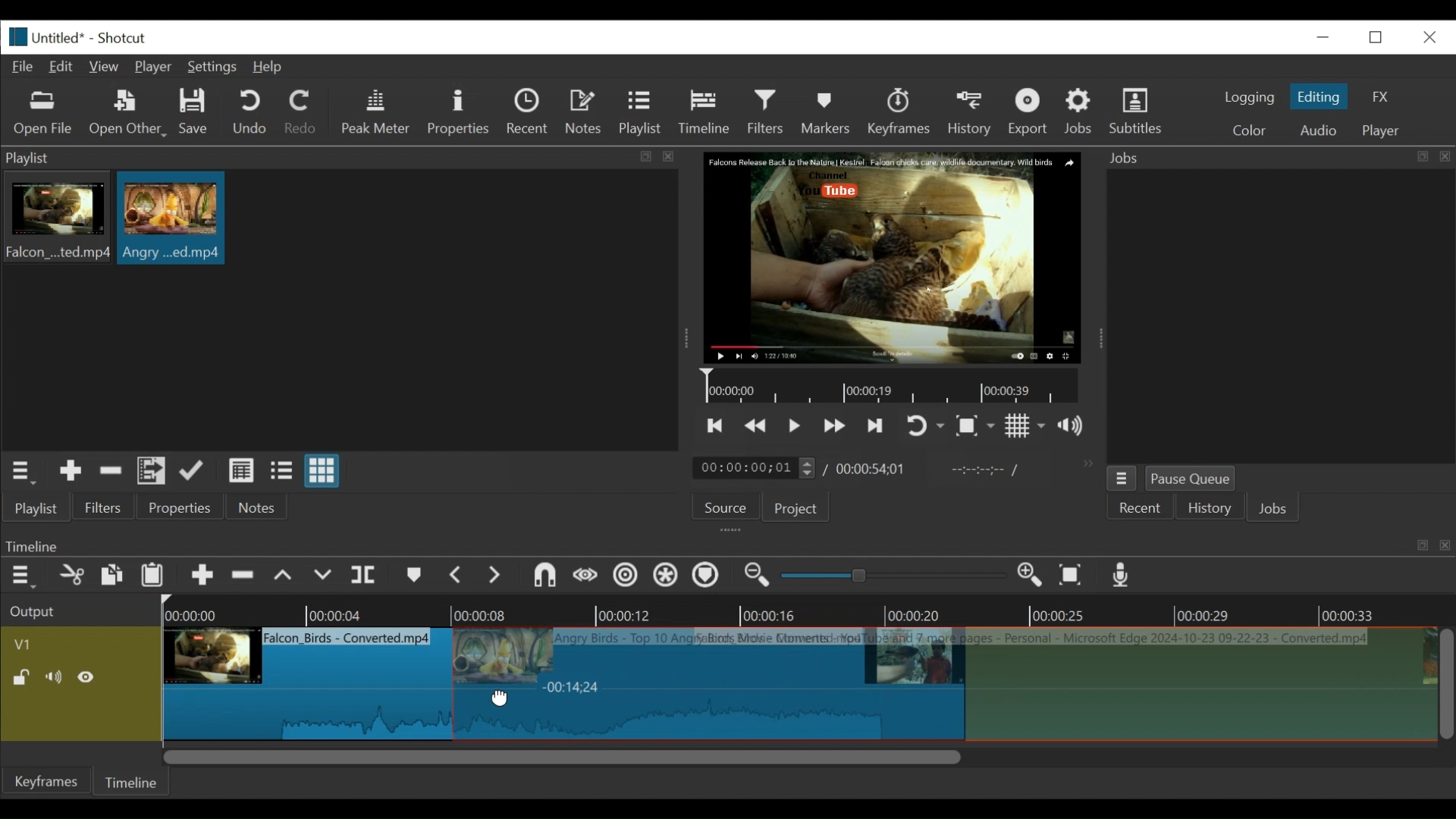 The width and height of the screenshot is (1456, 819). What do you see at coordinates (586, 112) in the screenshot?
I see `Notes` at bounding box center [586, 112].